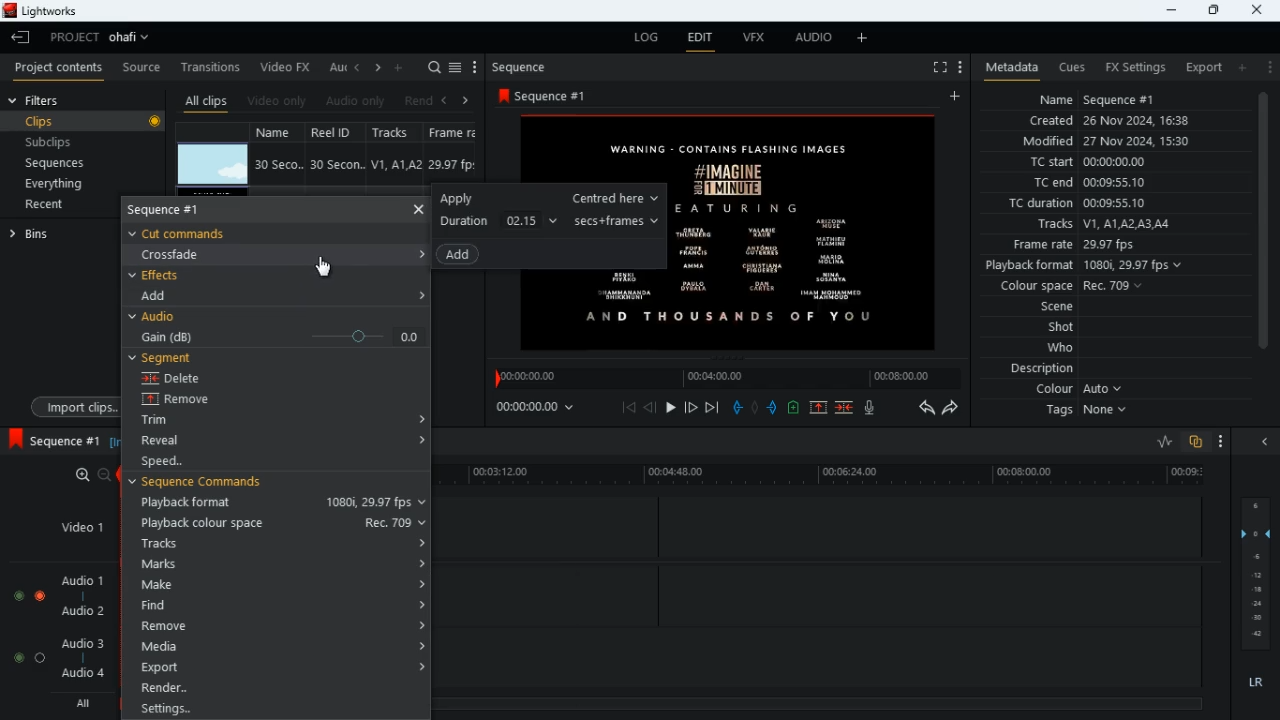 This screenshot has height=720, width=1280. Describe the element at coordinates (286, 68) in the screenshot. I see `video fx` at that location.